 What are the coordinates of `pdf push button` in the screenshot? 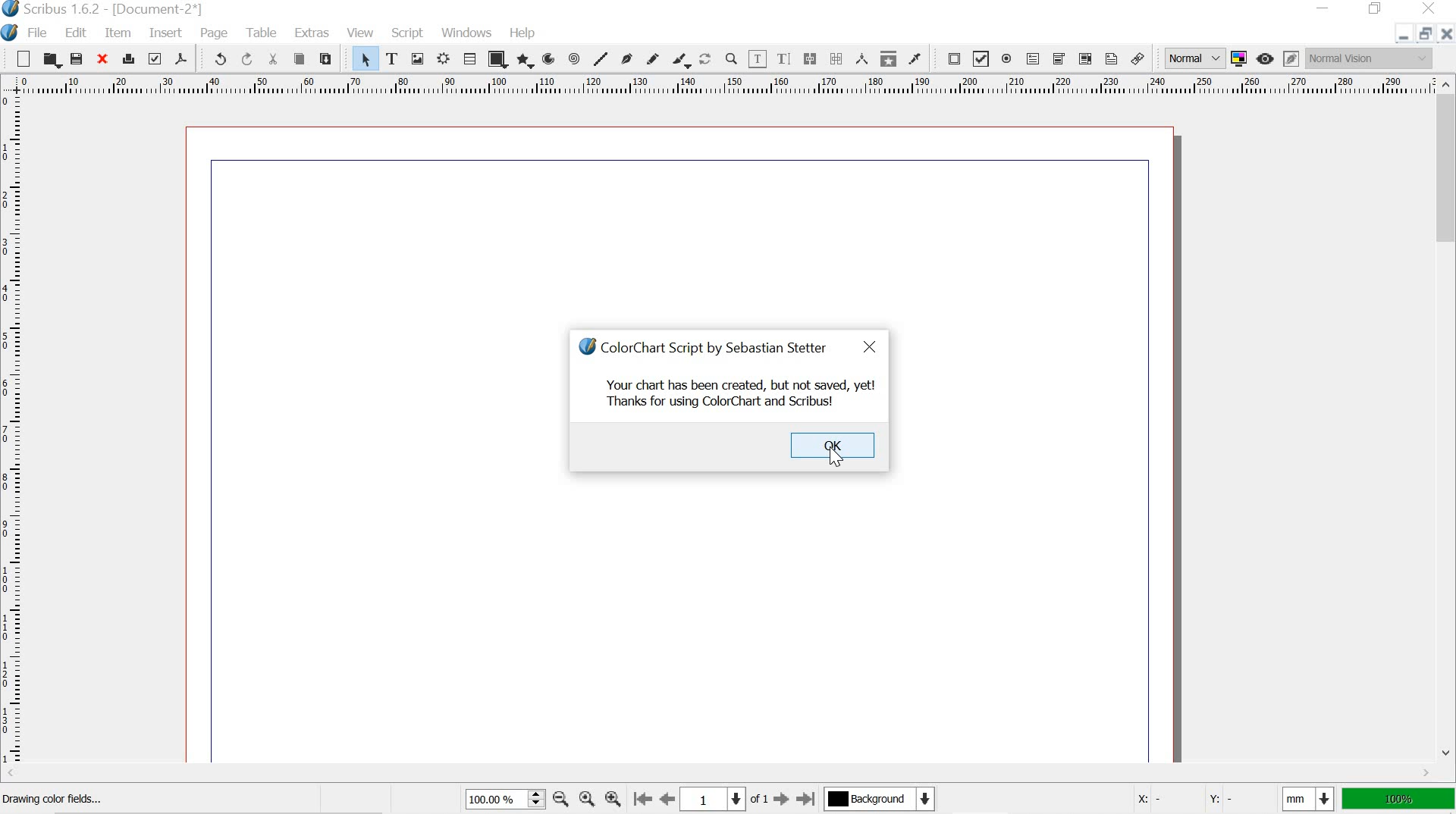 It's located at (950, 58).